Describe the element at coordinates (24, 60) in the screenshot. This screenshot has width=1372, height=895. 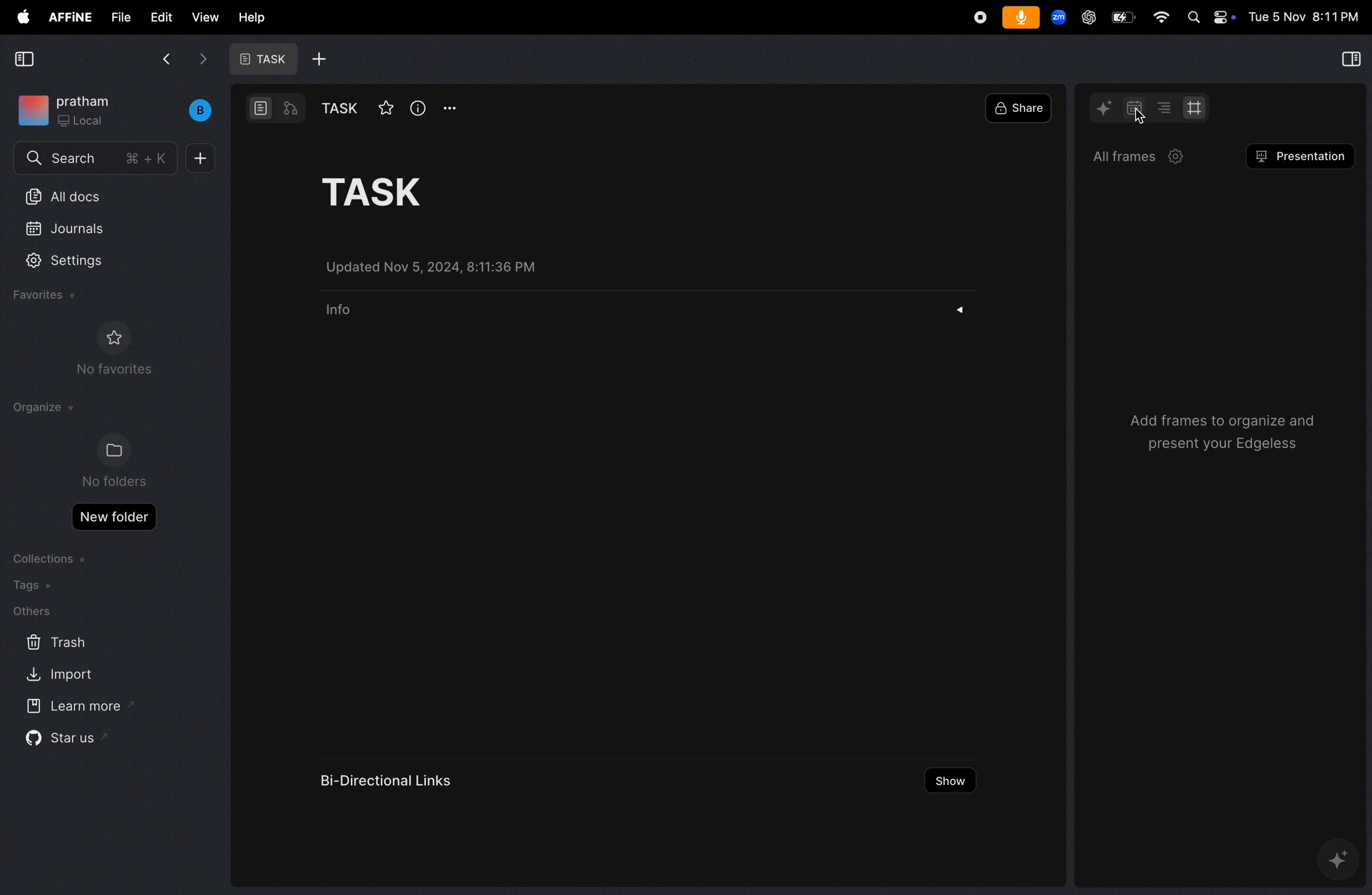
I see `collapse side bar` at that location.